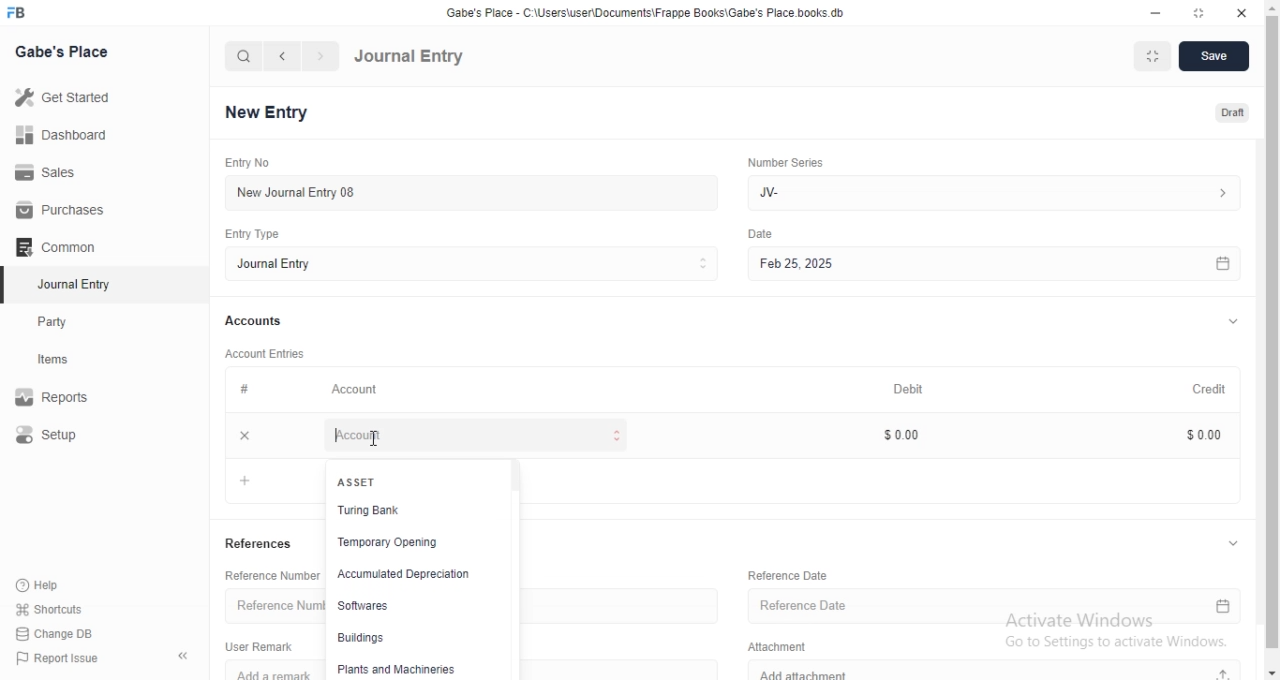 Image resolution: width=1280 pixels, height=680 pixels. What do you see at coordinates (407, 544) in the screenshot?
I see `Temporary Opening` at bounding box center [407, 544].